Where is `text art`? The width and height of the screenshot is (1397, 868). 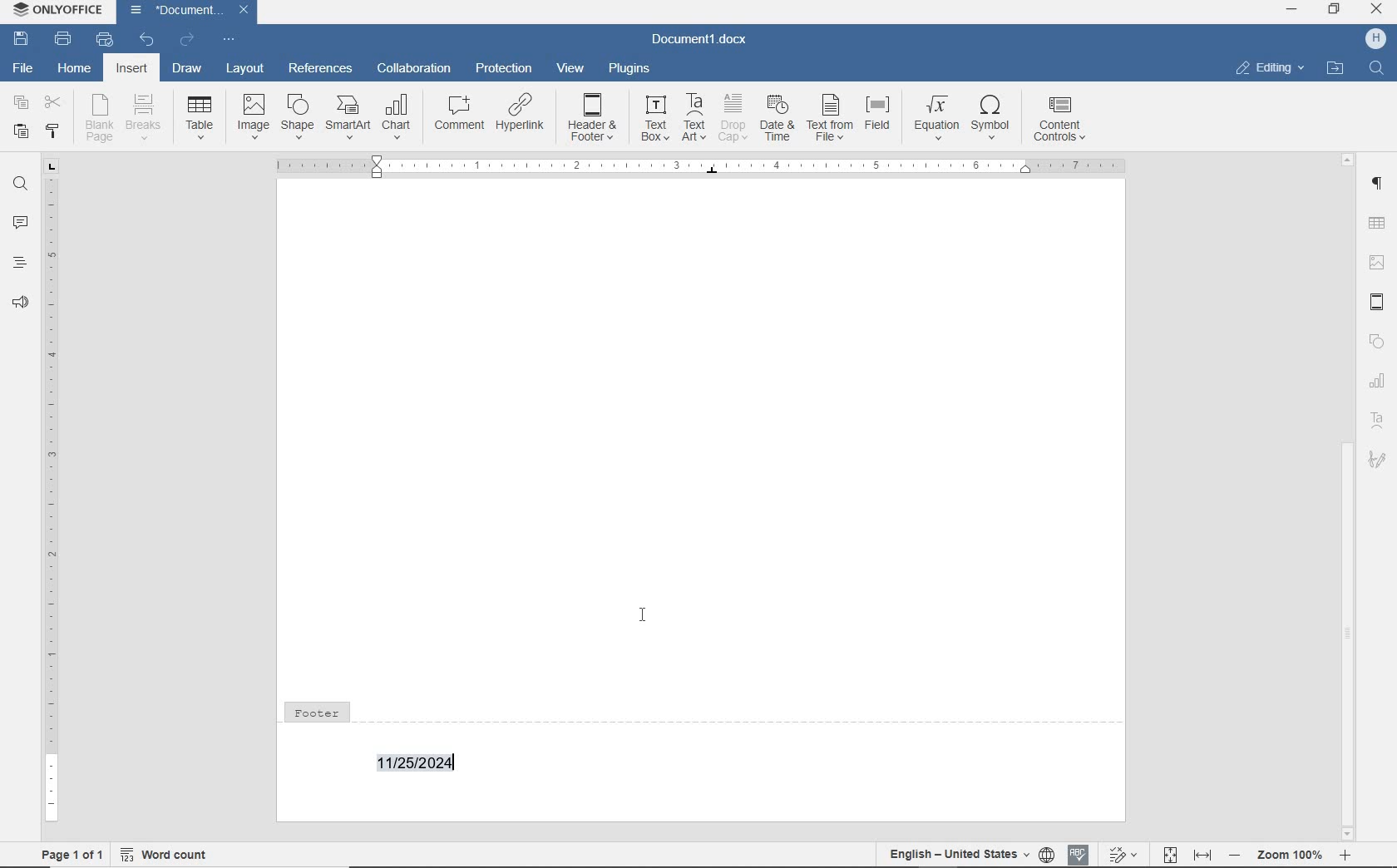 text art is located at coordinates (695, 117).